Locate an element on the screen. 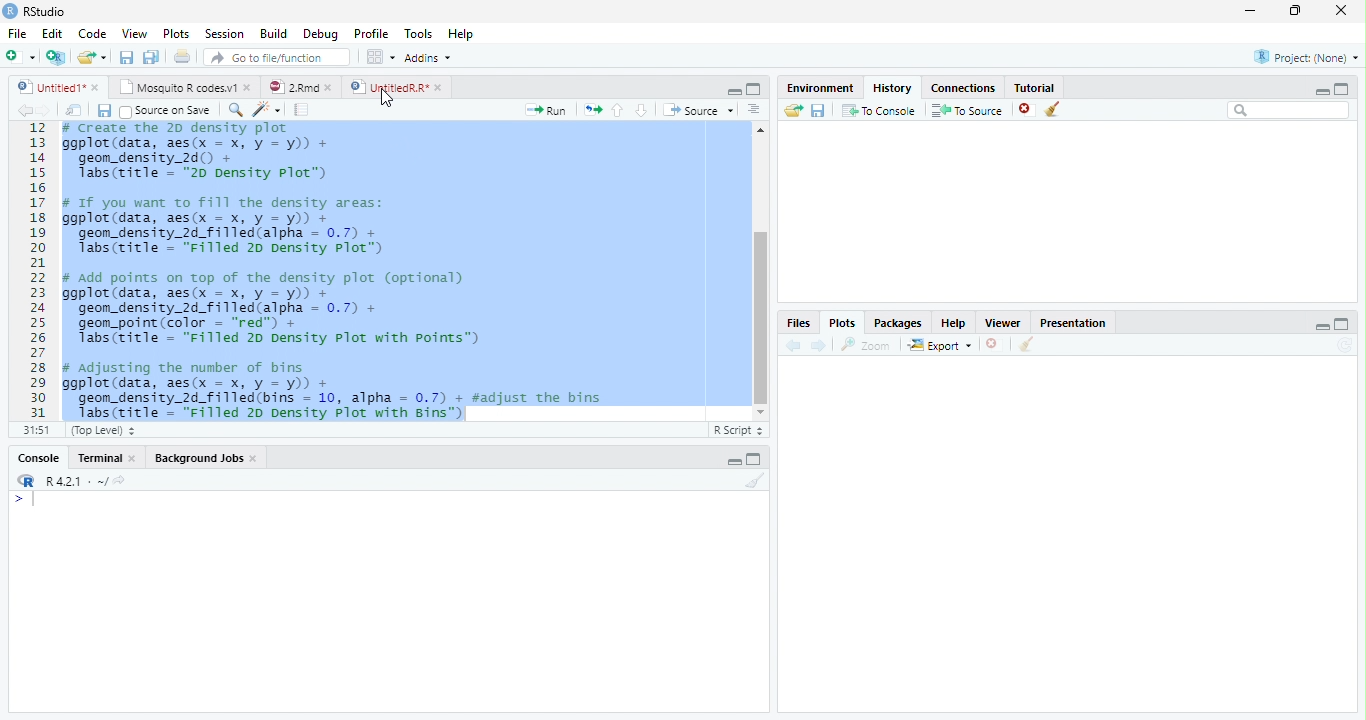 The image size is (1366, 720). Document outline is located at coordinates (754, 111).